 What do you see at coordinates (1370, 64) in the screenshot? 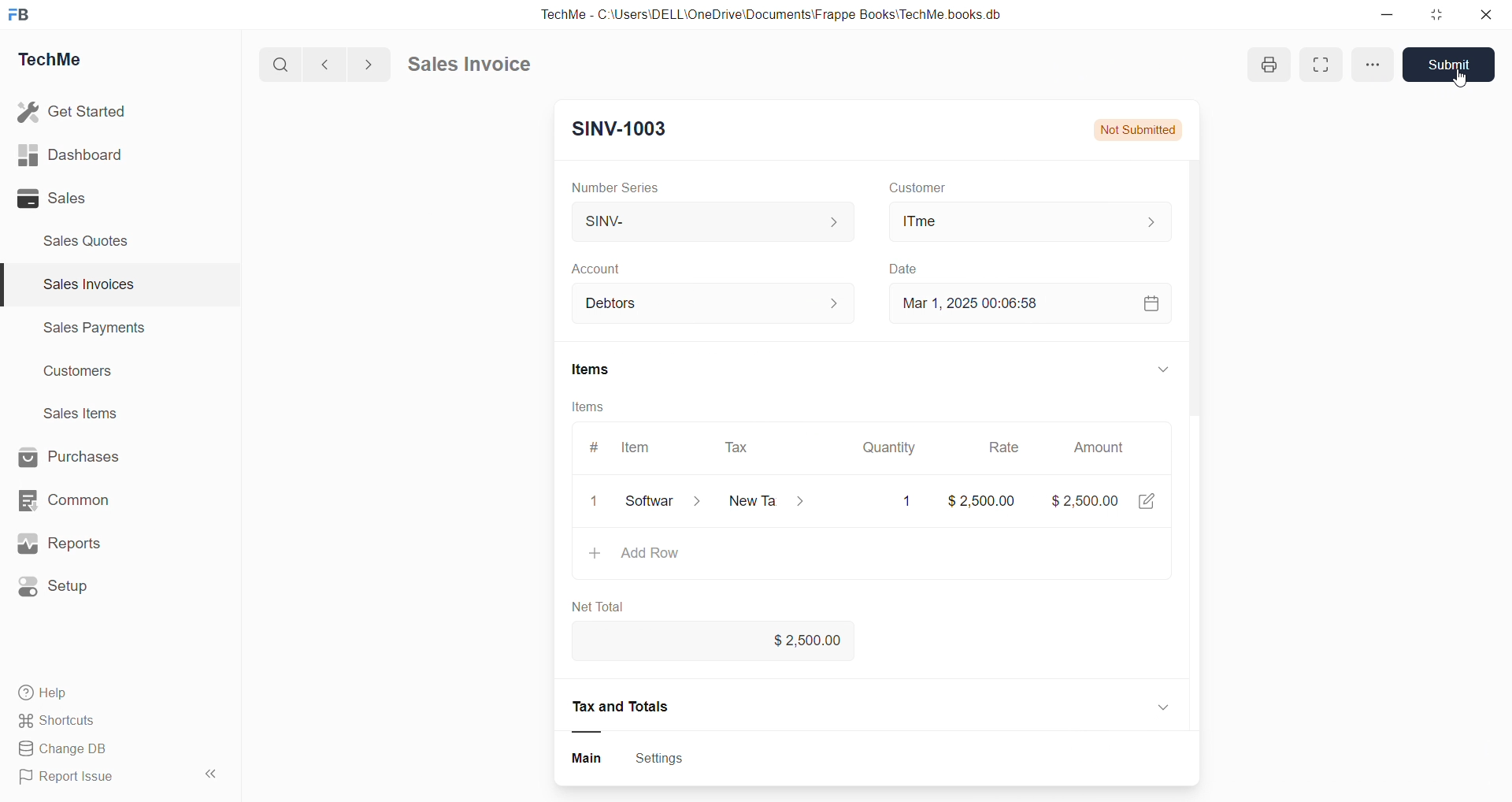
I see `more option` at bounding box center [1370, 64].